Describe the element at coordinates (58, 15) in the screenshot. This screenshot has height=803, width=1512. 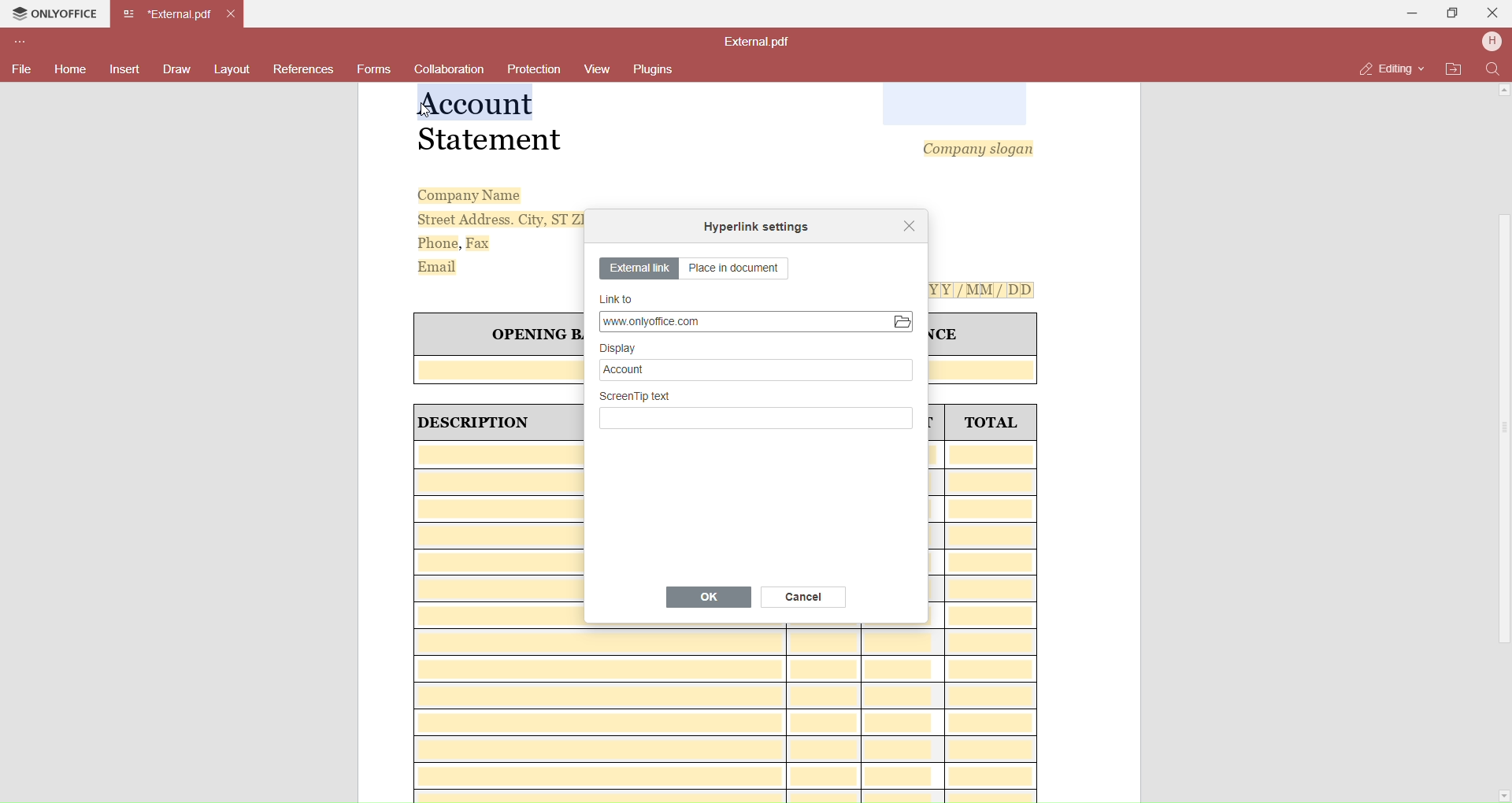
I see `Onlyoffice Tab` at that location.